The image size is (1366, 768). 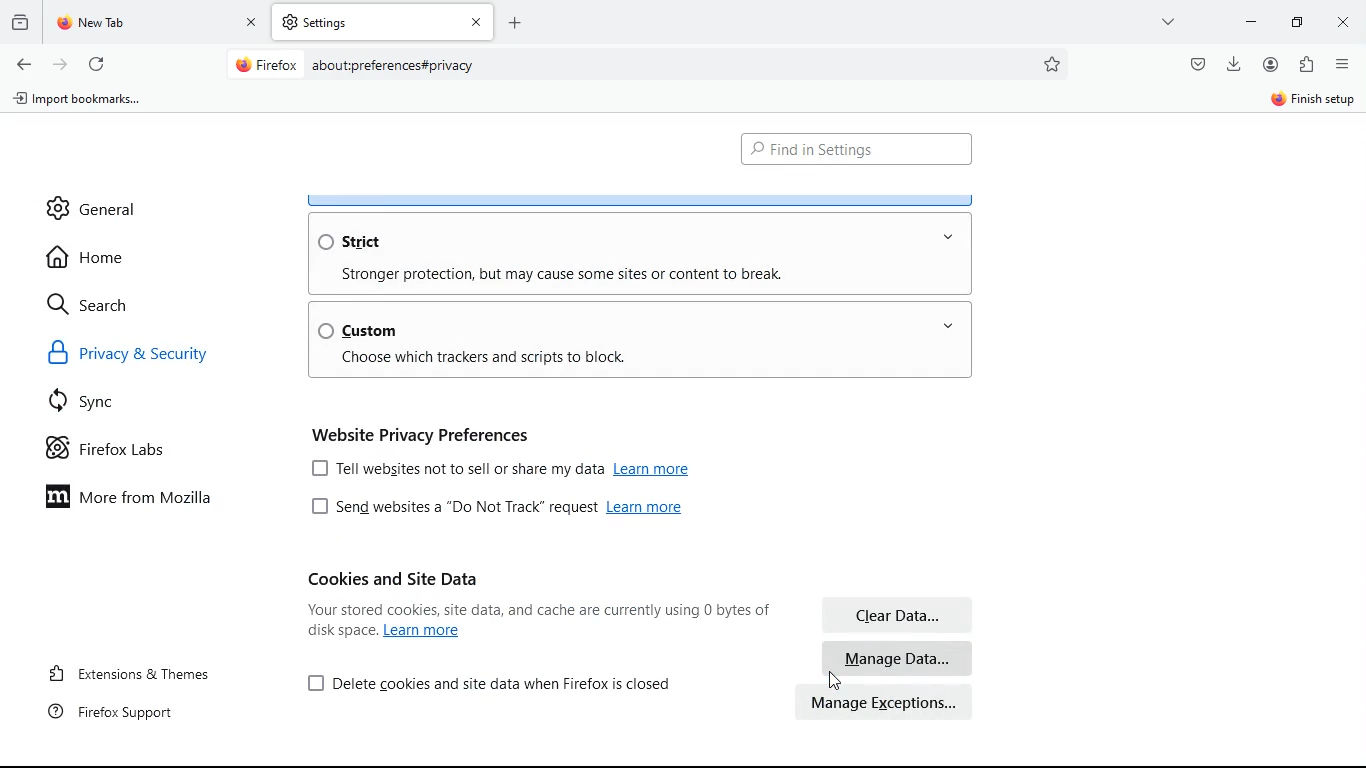 I want to click on clear data, so click(x=896, y=614).